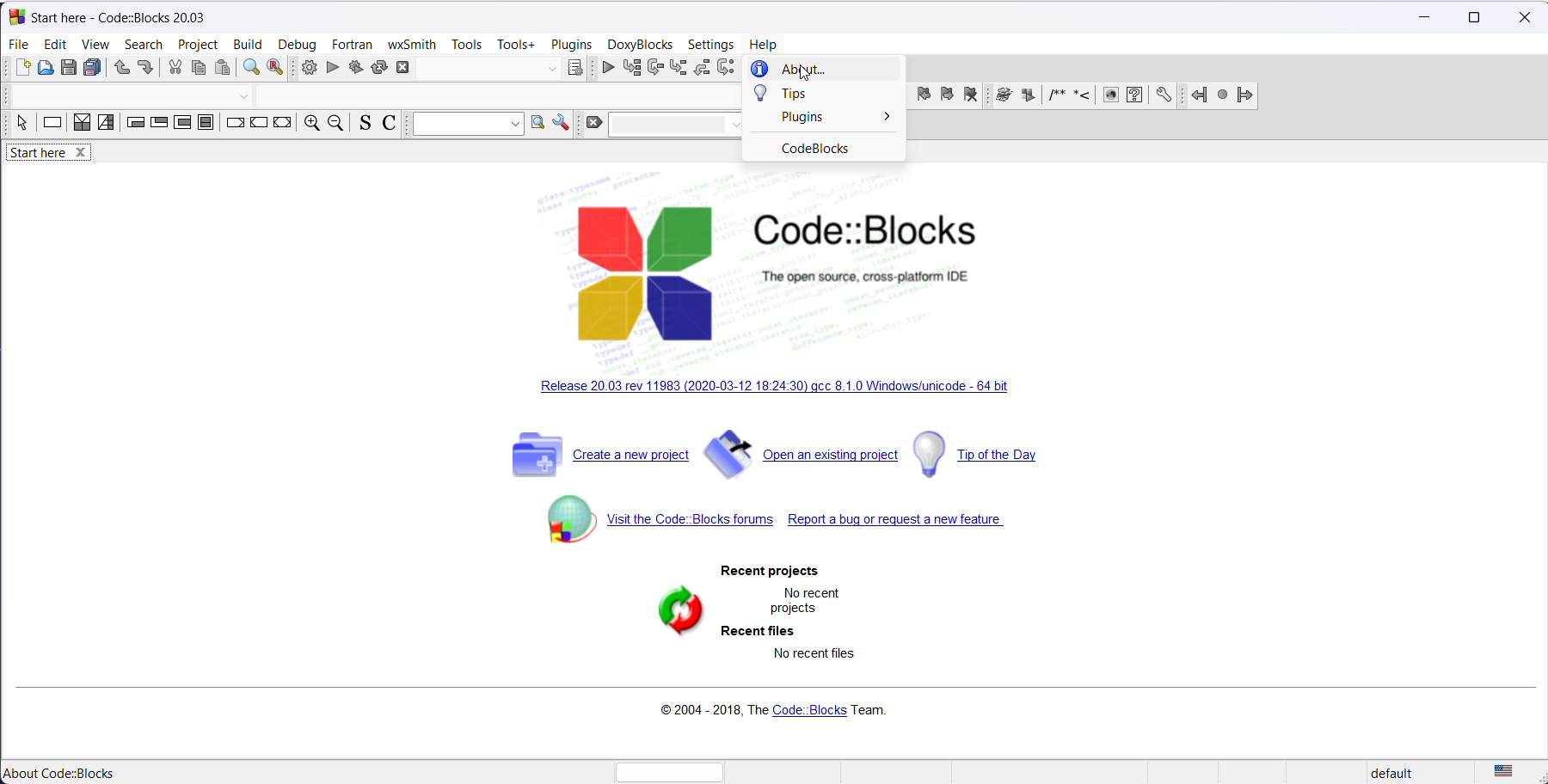 The height and width of the screenshot is (784, 1548). What do you see at coordinates (306, 69) in the screenshot?
I see `build` at bounding box center [306, 69].